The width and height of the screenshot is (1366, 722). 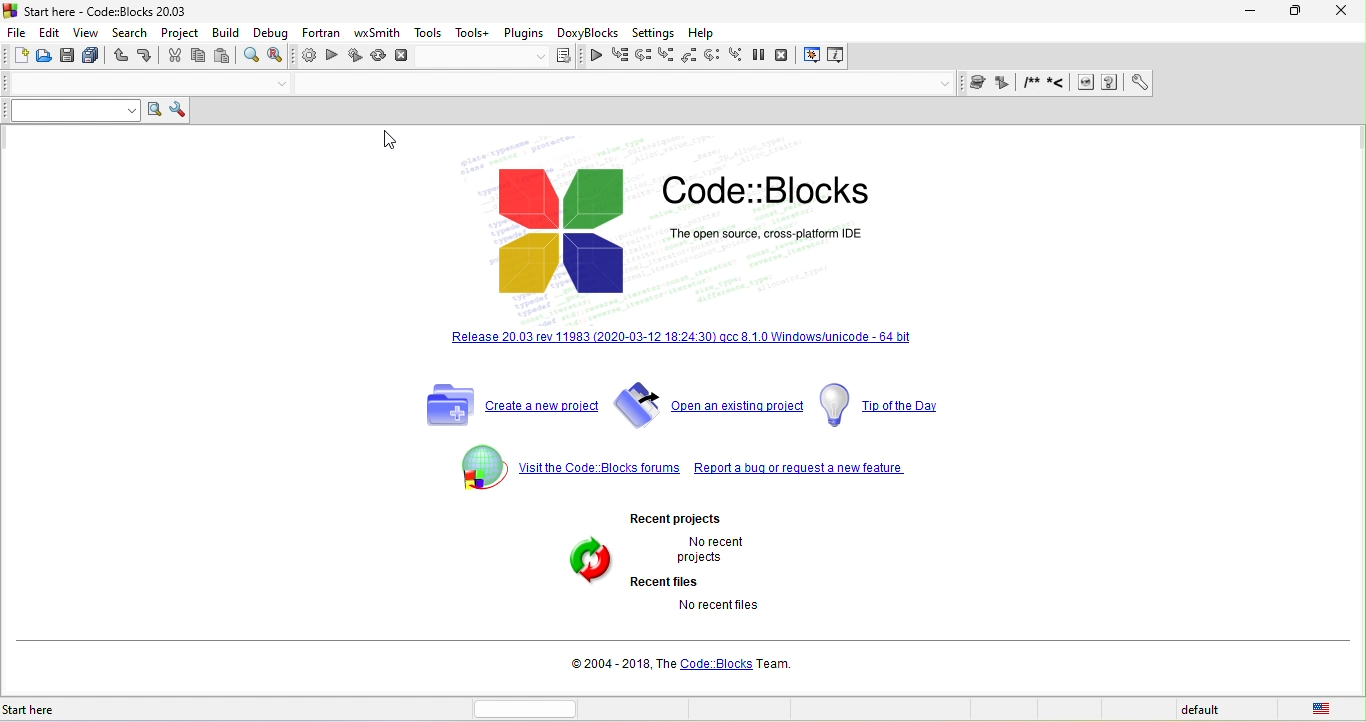 What do you see at coordinates (1288, 14) in the screenshot?
I see `maximize` at bounding box center [1288, 14].